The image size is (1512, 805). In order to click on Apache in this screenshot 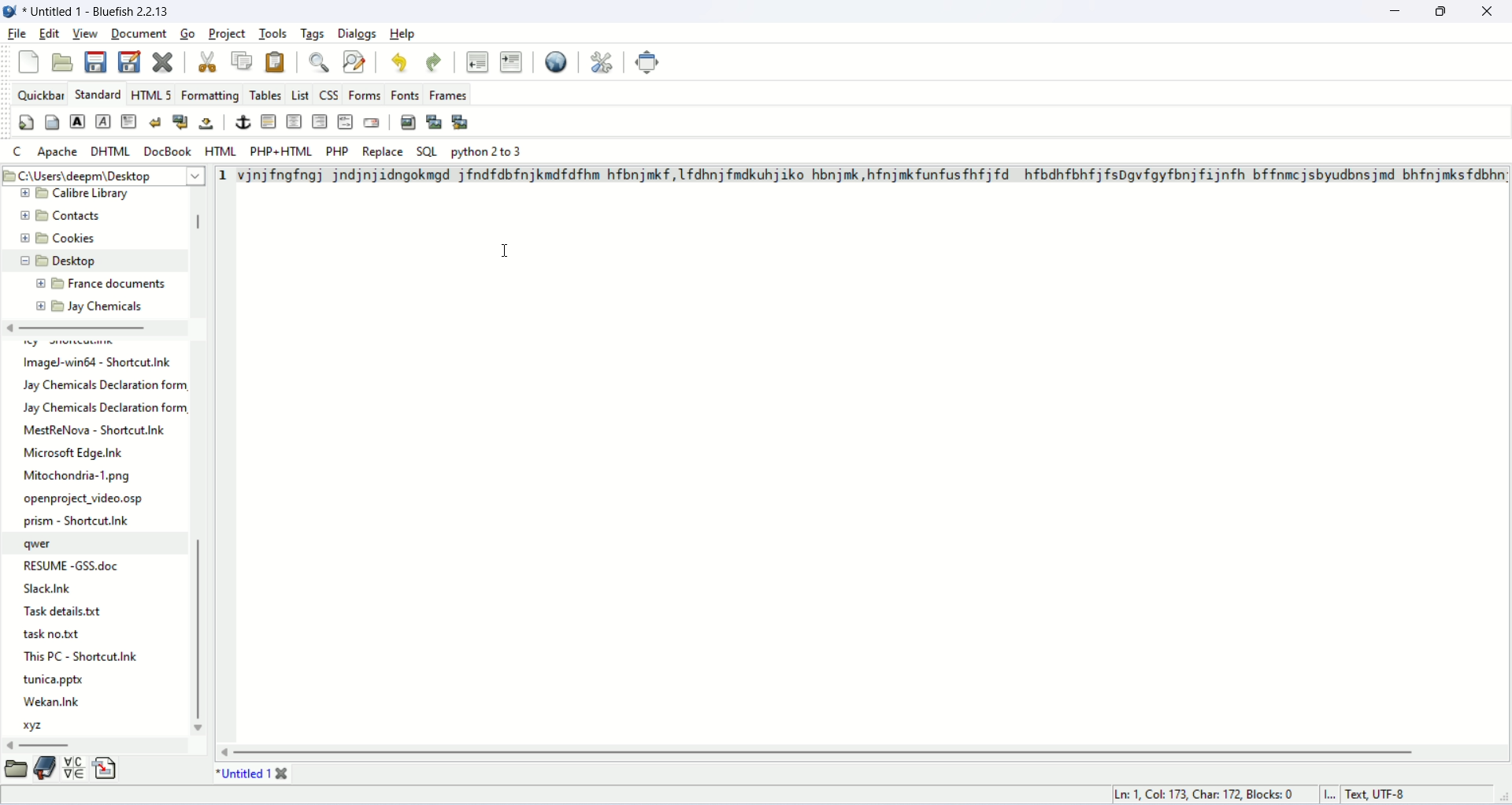, I will do `click(57, 152)`.